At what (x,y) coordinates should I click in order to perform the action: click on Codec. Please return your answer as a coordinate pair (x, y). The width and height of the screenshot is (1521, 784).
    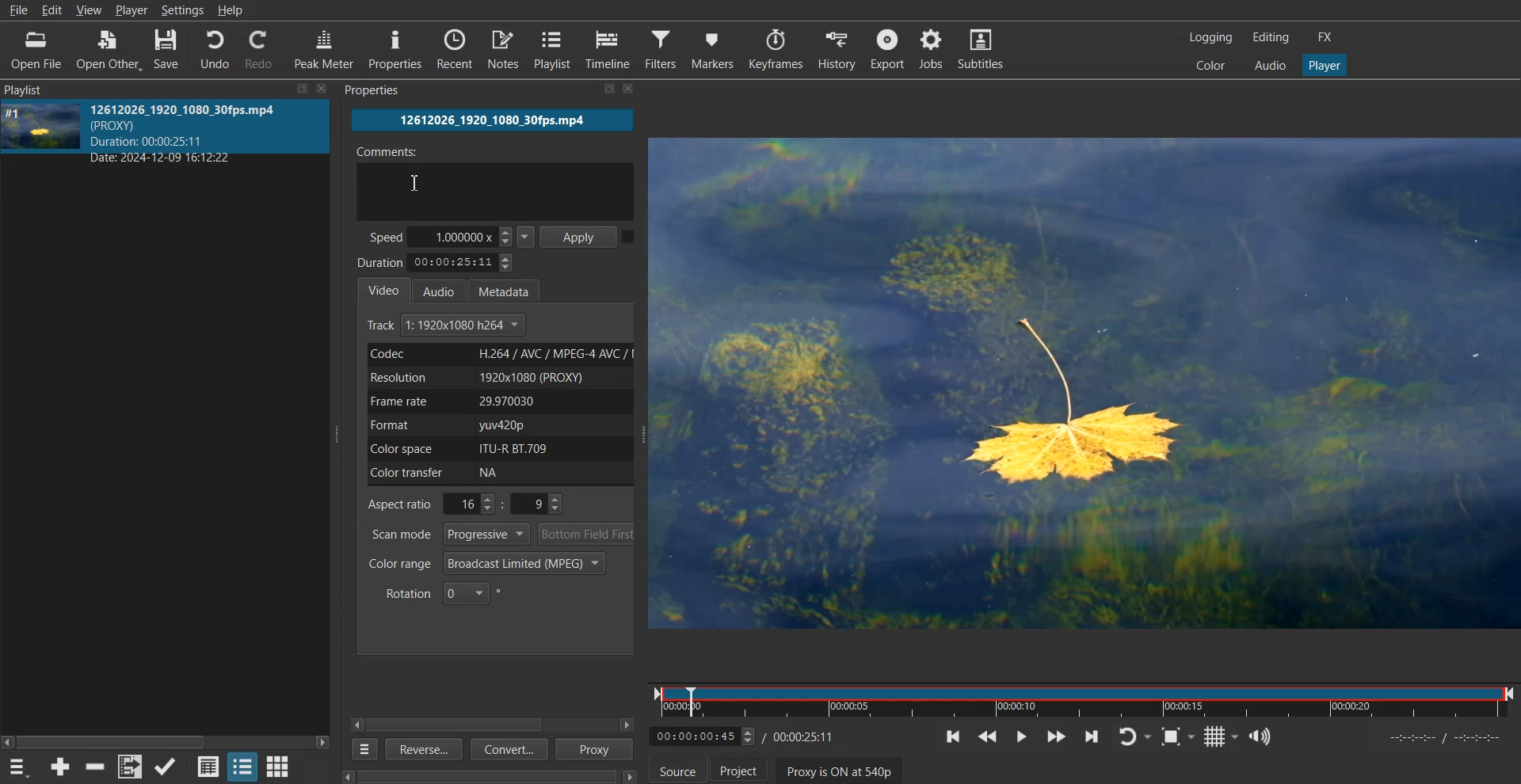
    Looking at the image, I should click on (497, 354).